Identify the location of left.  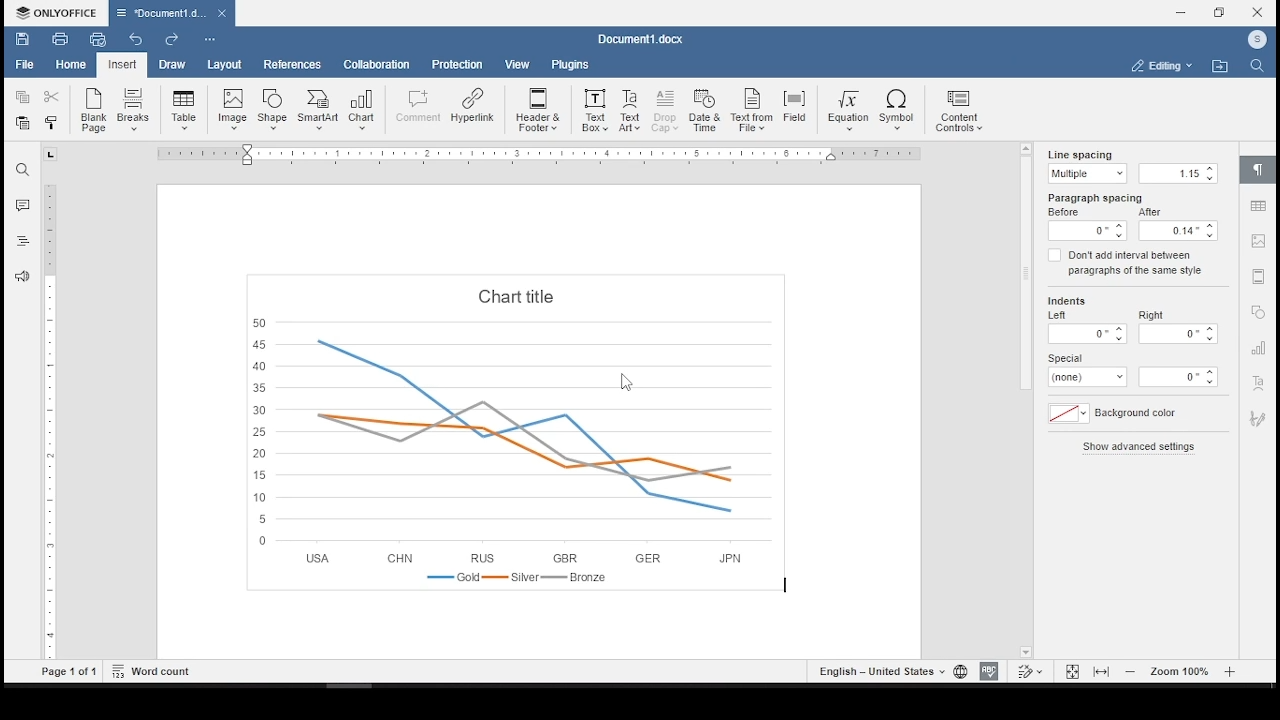
(1083, 329).